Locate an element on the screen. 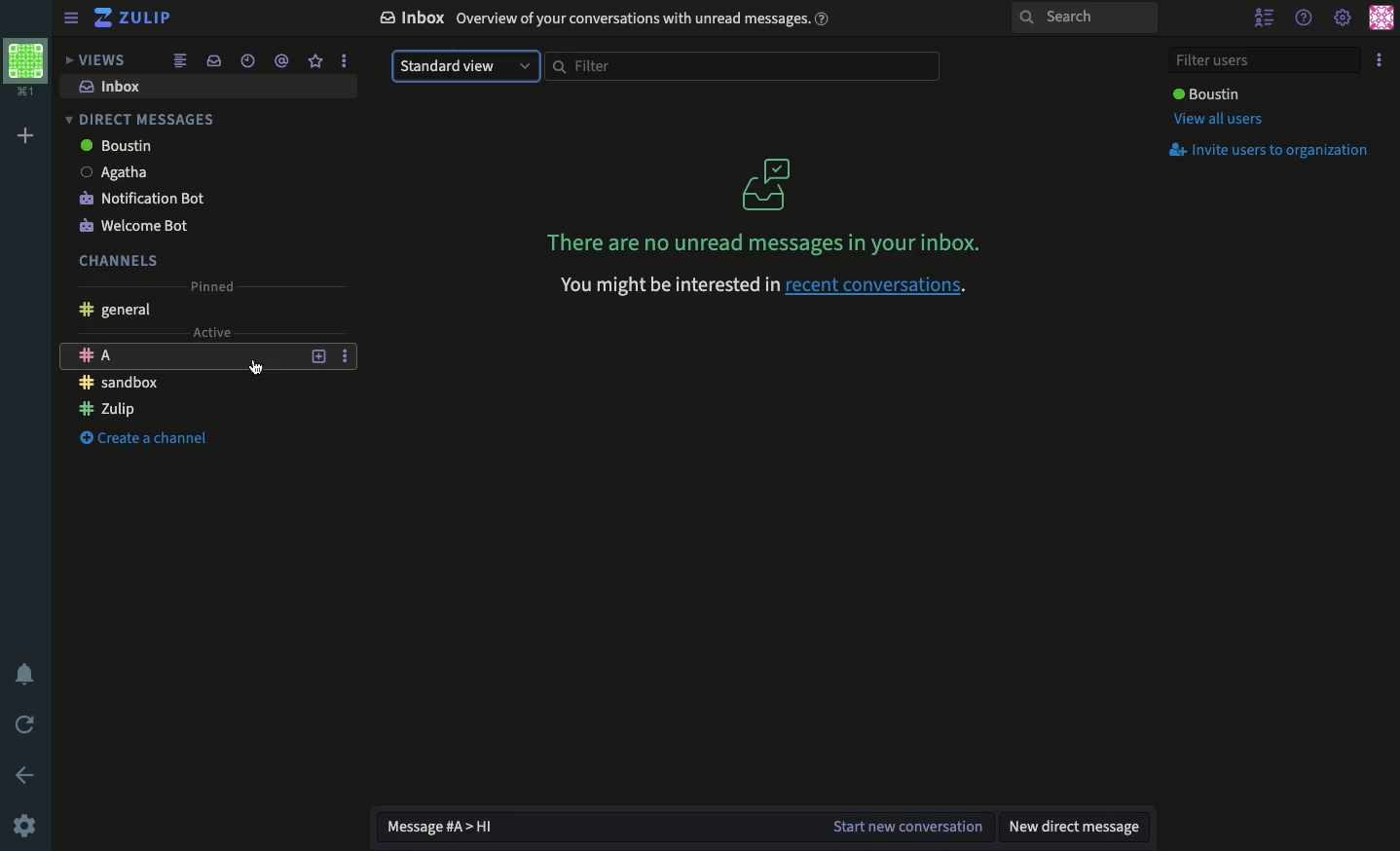 The height and width of the screenshot is (851, 1400). Add is located at coordinates (26, 136).